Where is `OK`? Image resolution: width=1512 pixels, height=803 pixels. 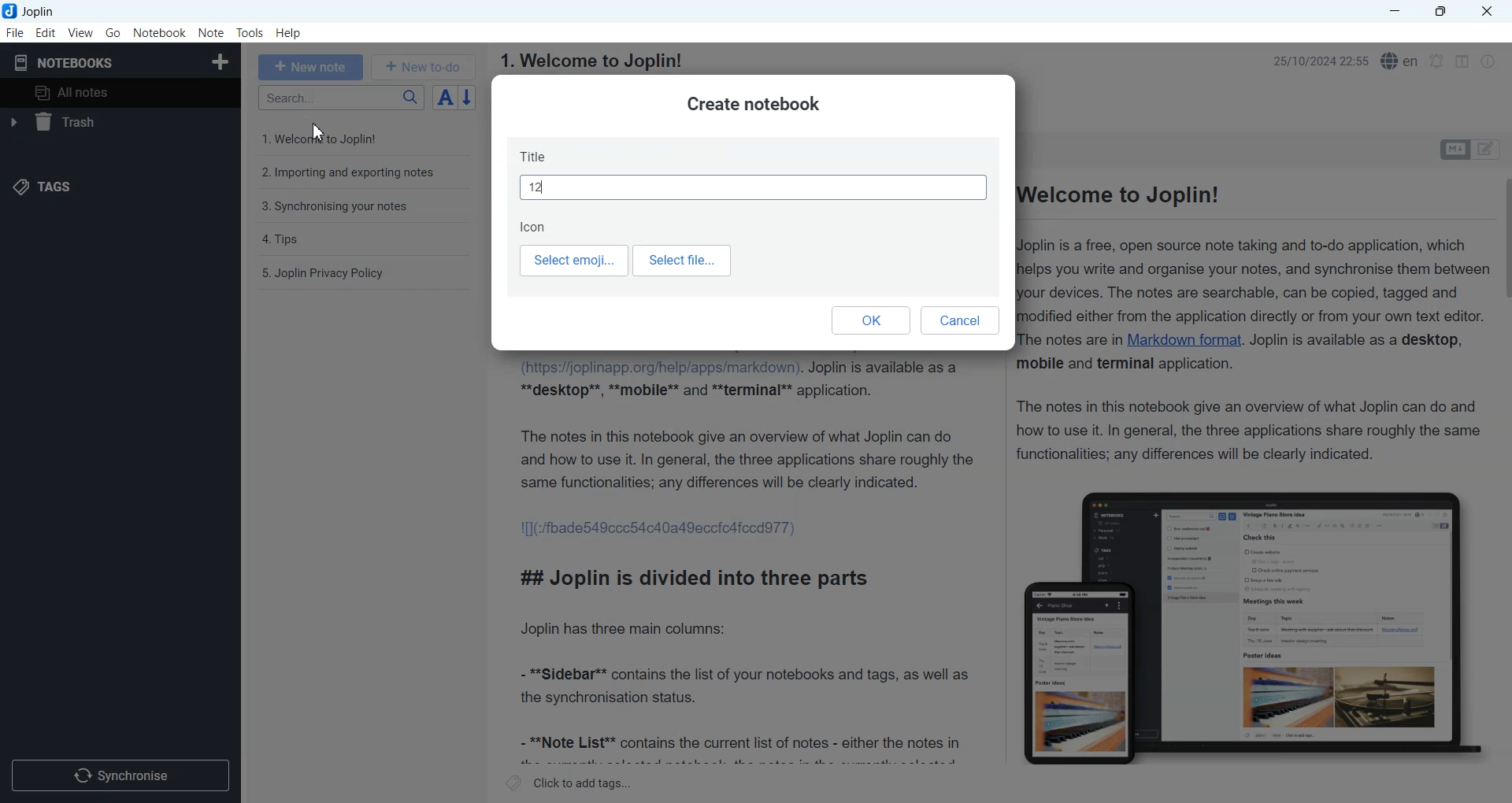 OK is located at coordinates (870, 320).